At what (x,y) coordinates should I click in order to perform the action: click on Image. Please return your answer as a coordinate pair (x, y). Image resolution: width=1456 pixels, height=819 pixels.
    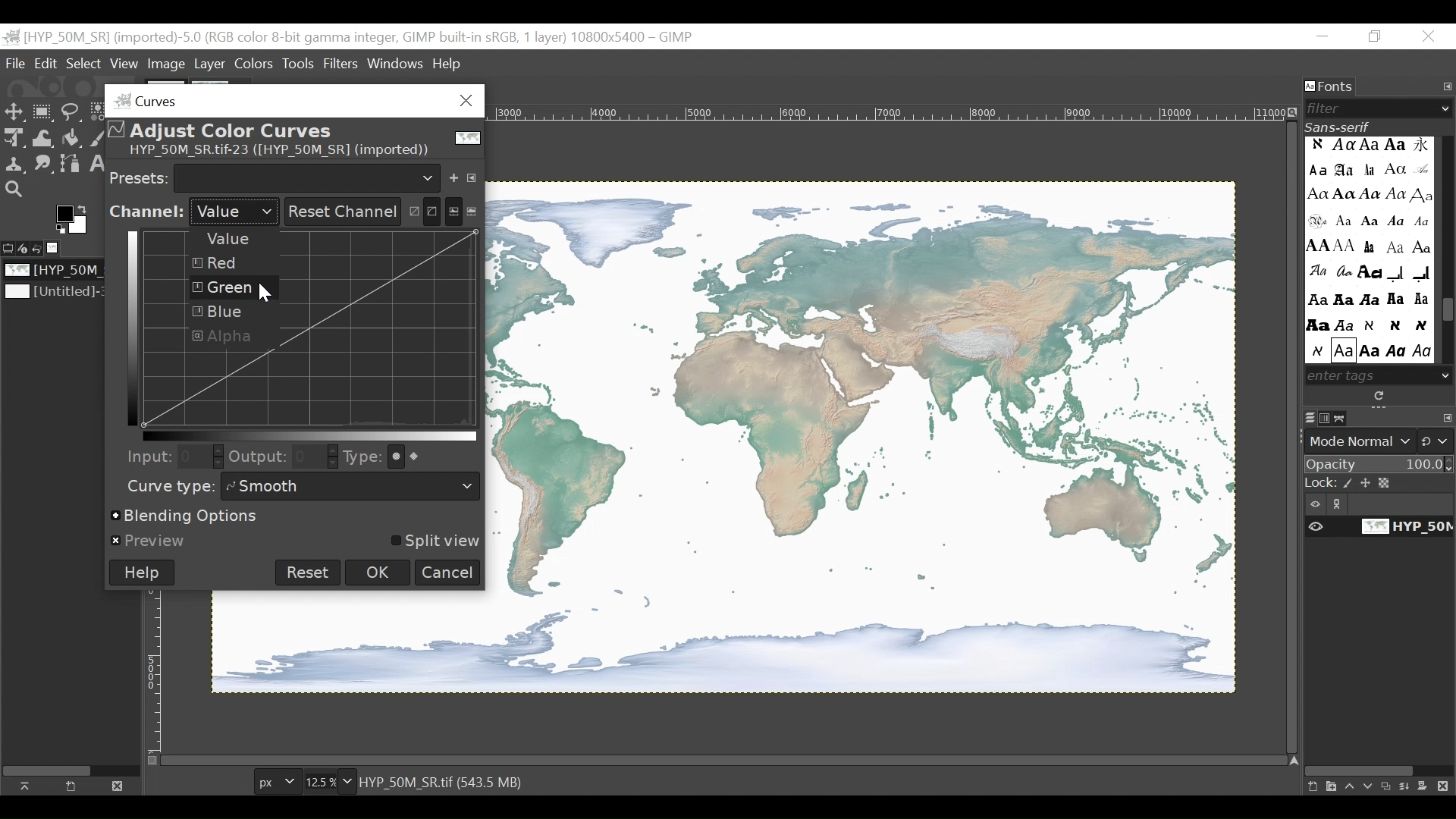
    Looking at the image, I should click on (58, 271).